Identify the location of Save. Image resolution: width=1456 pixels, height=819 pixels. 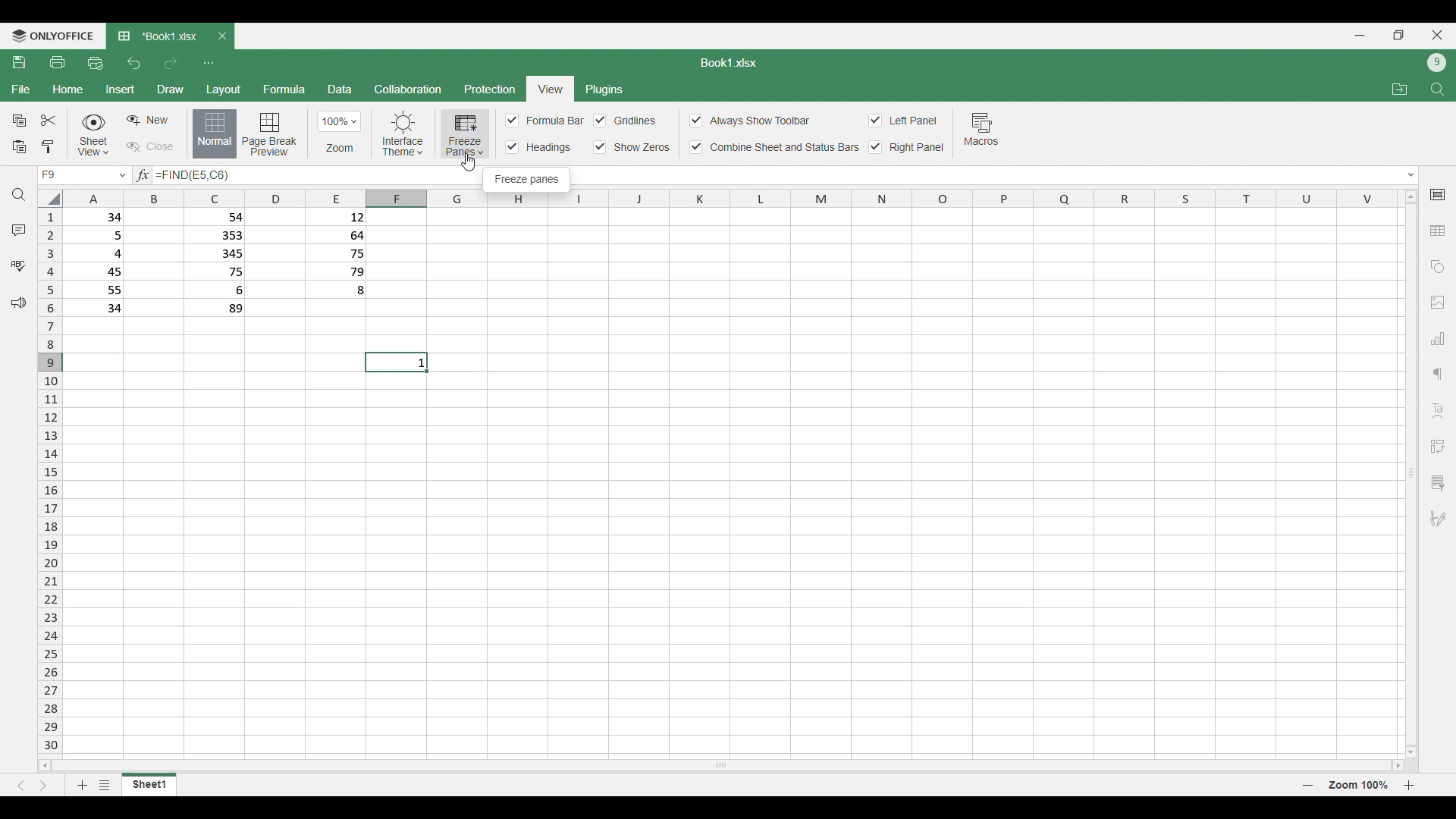
(20, 63).